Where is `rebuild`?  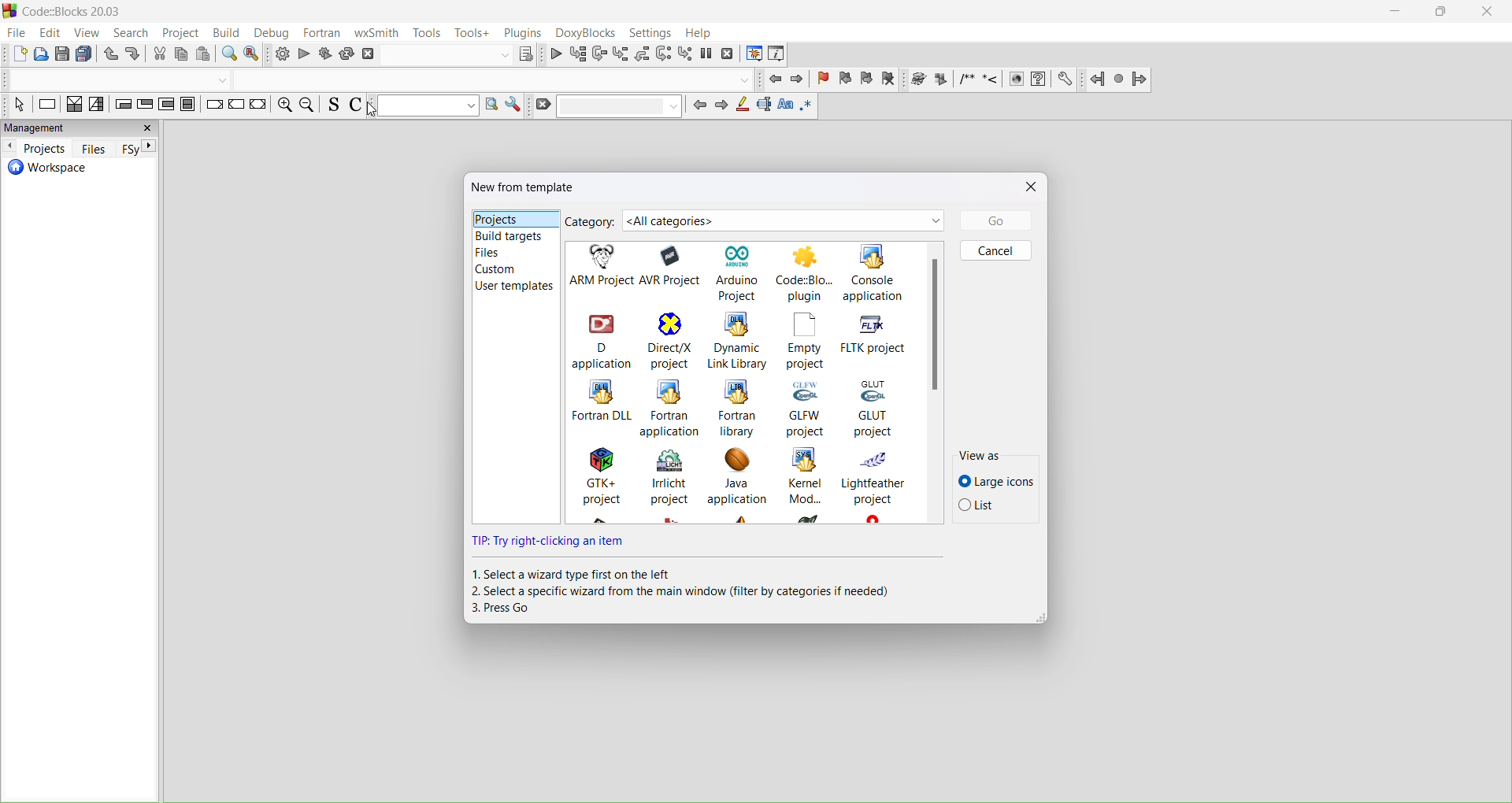
rebuild is located at coordinates (348, 53).